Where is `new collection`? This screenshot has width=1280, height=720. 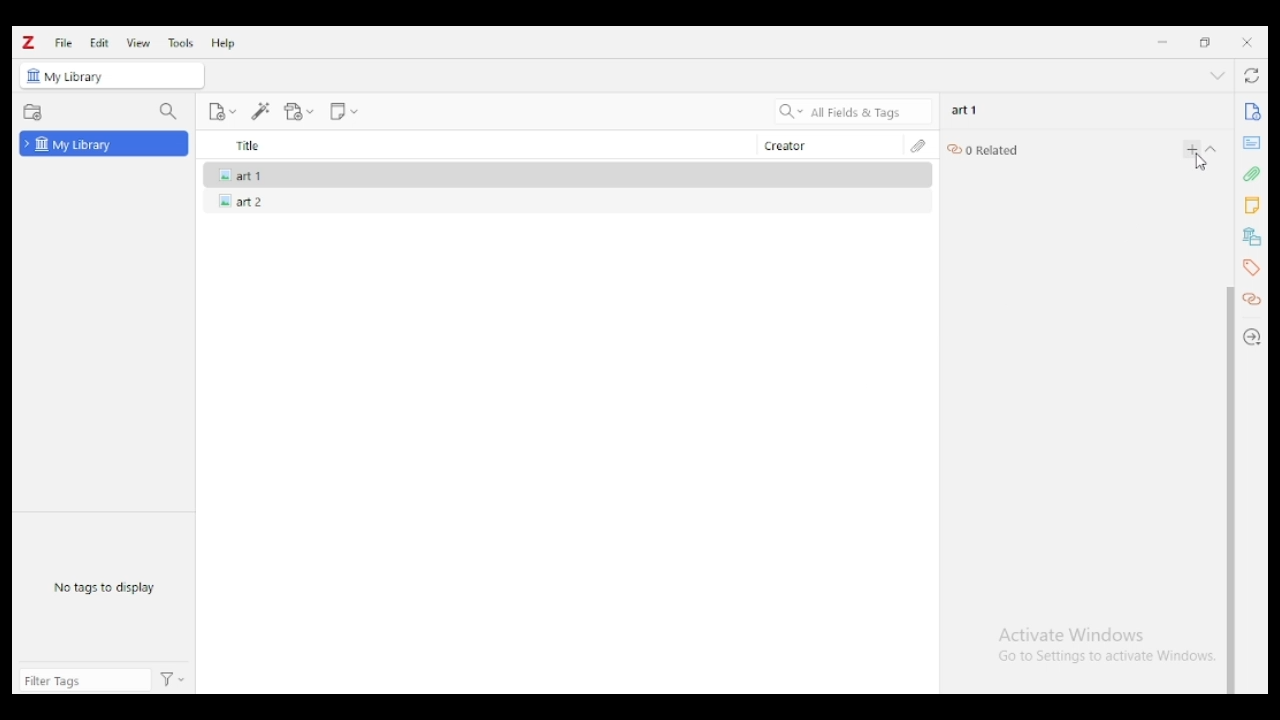 new collection is located at coordinates (33, 113).